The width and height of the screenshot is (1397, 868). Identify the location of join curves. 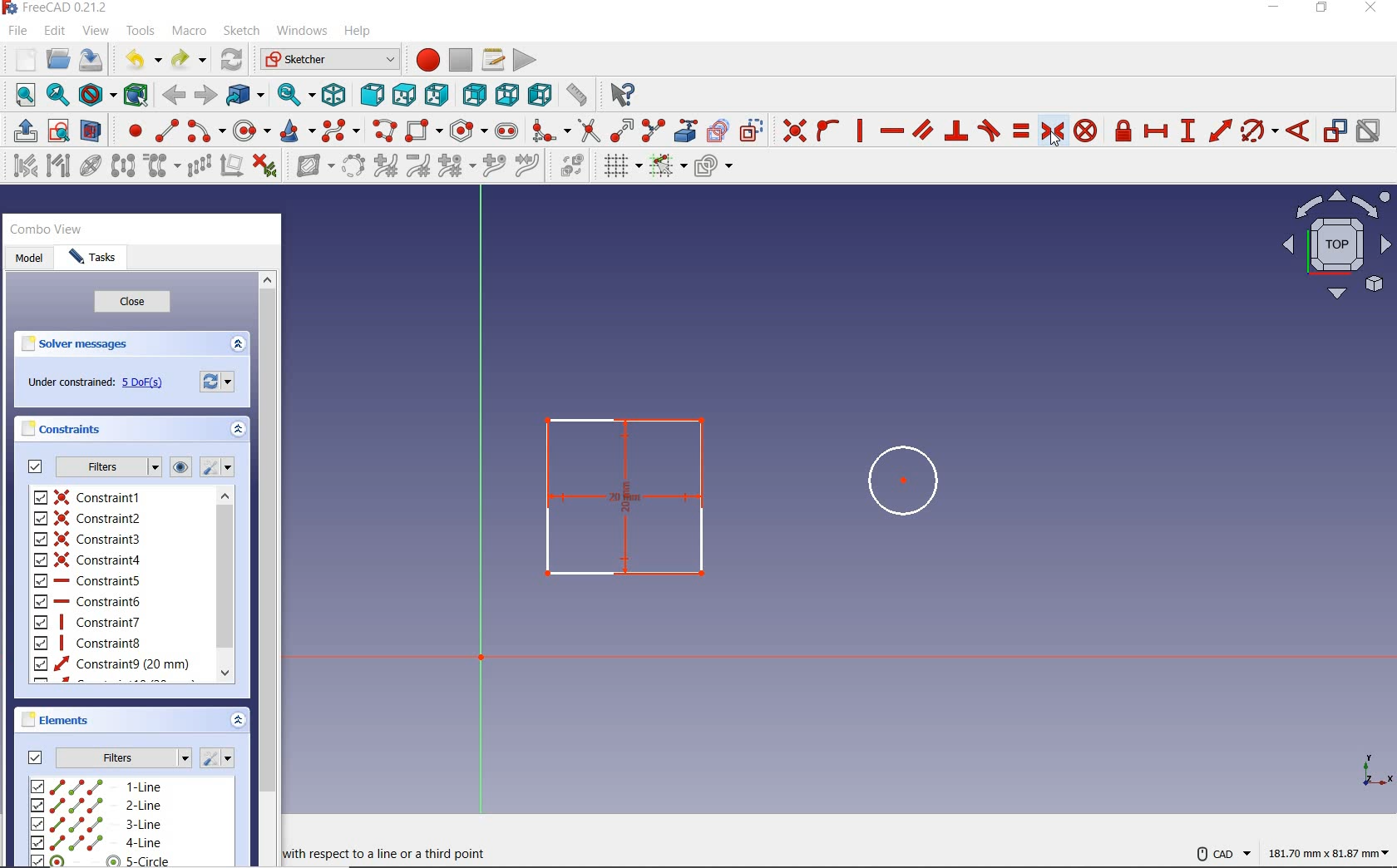
(528, 165).